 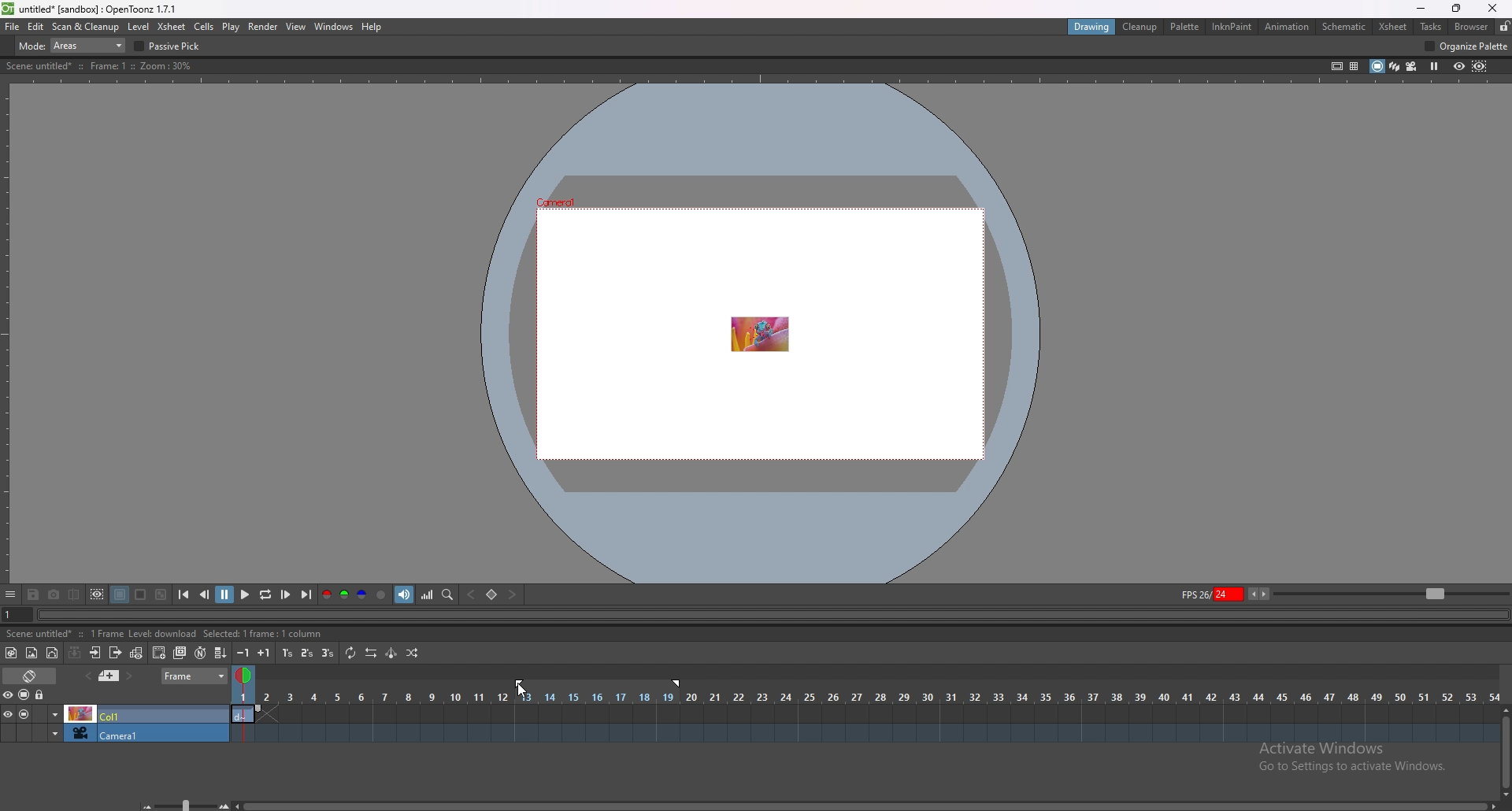 I want to click on close subsheet, so click(x=116, y=653).